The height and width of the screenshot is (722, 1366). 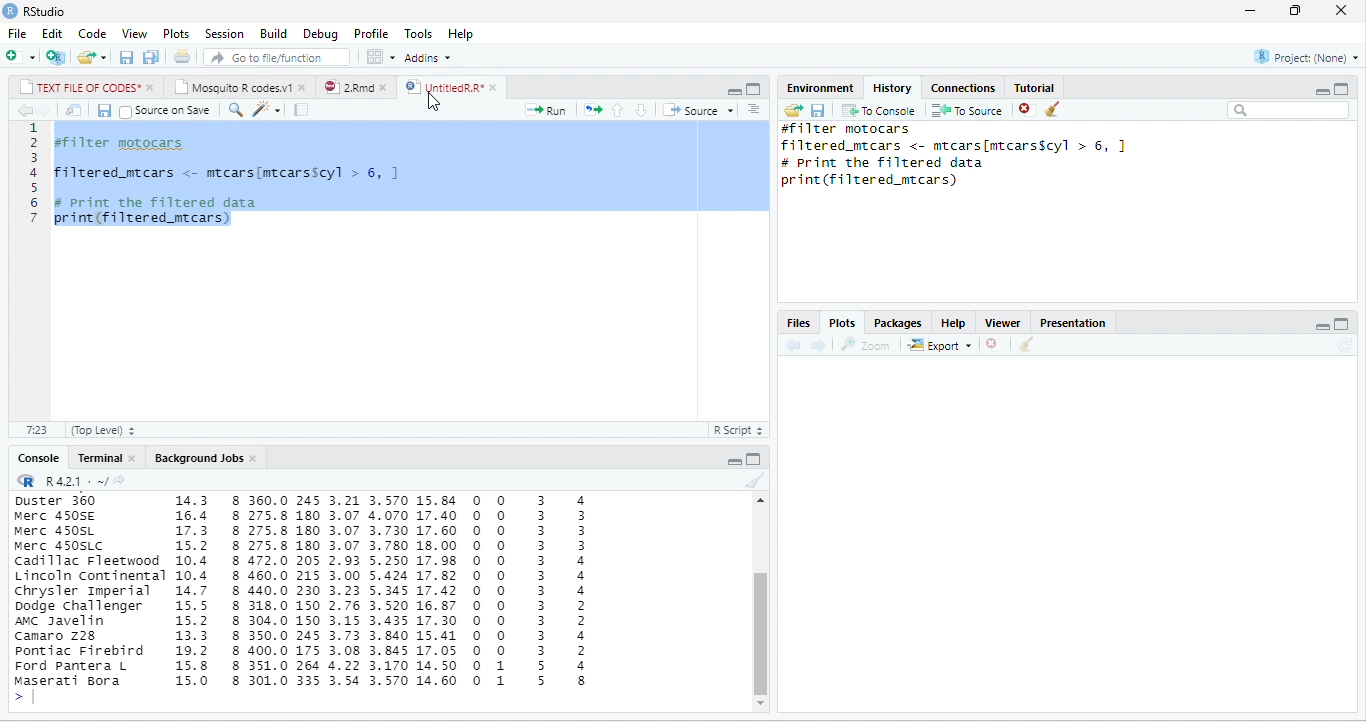 I want to click on 0
0
0
0
0
0
0
0
0
0
0
1
1, so click(x=502, y=589).